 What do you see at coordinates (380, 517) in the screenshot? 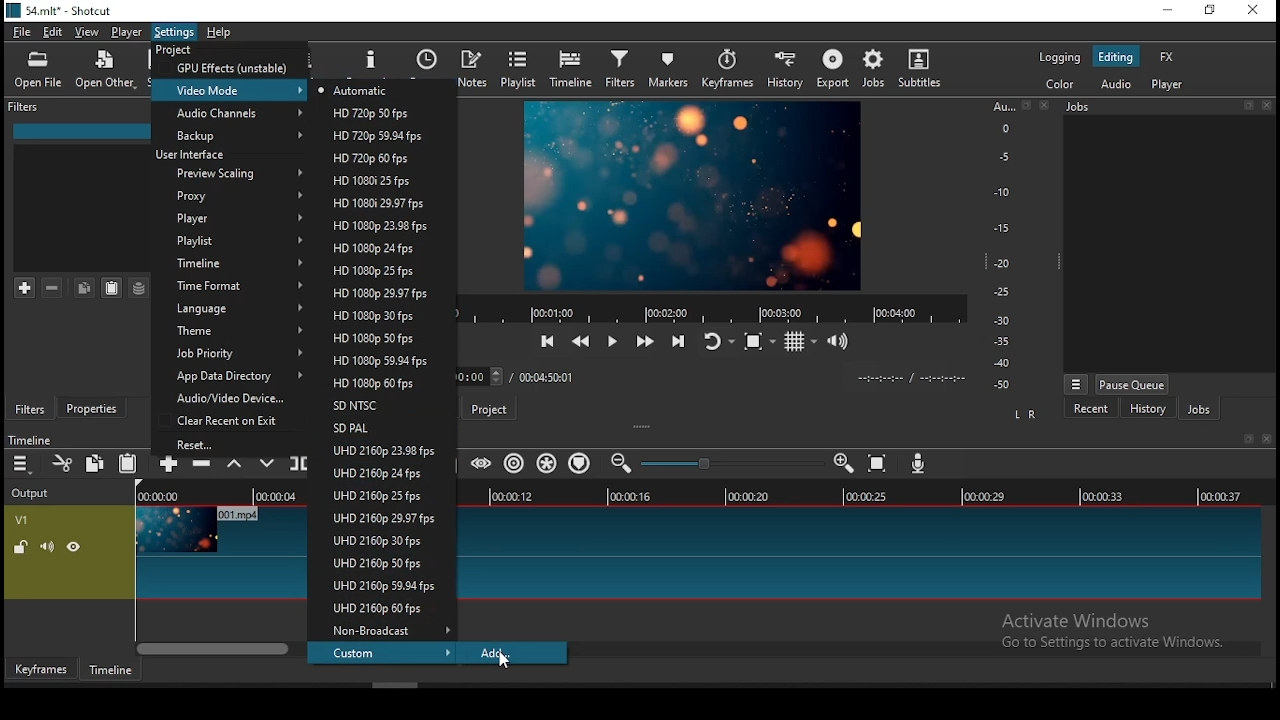
I see `resolution option` at bounding box center [380, 517].